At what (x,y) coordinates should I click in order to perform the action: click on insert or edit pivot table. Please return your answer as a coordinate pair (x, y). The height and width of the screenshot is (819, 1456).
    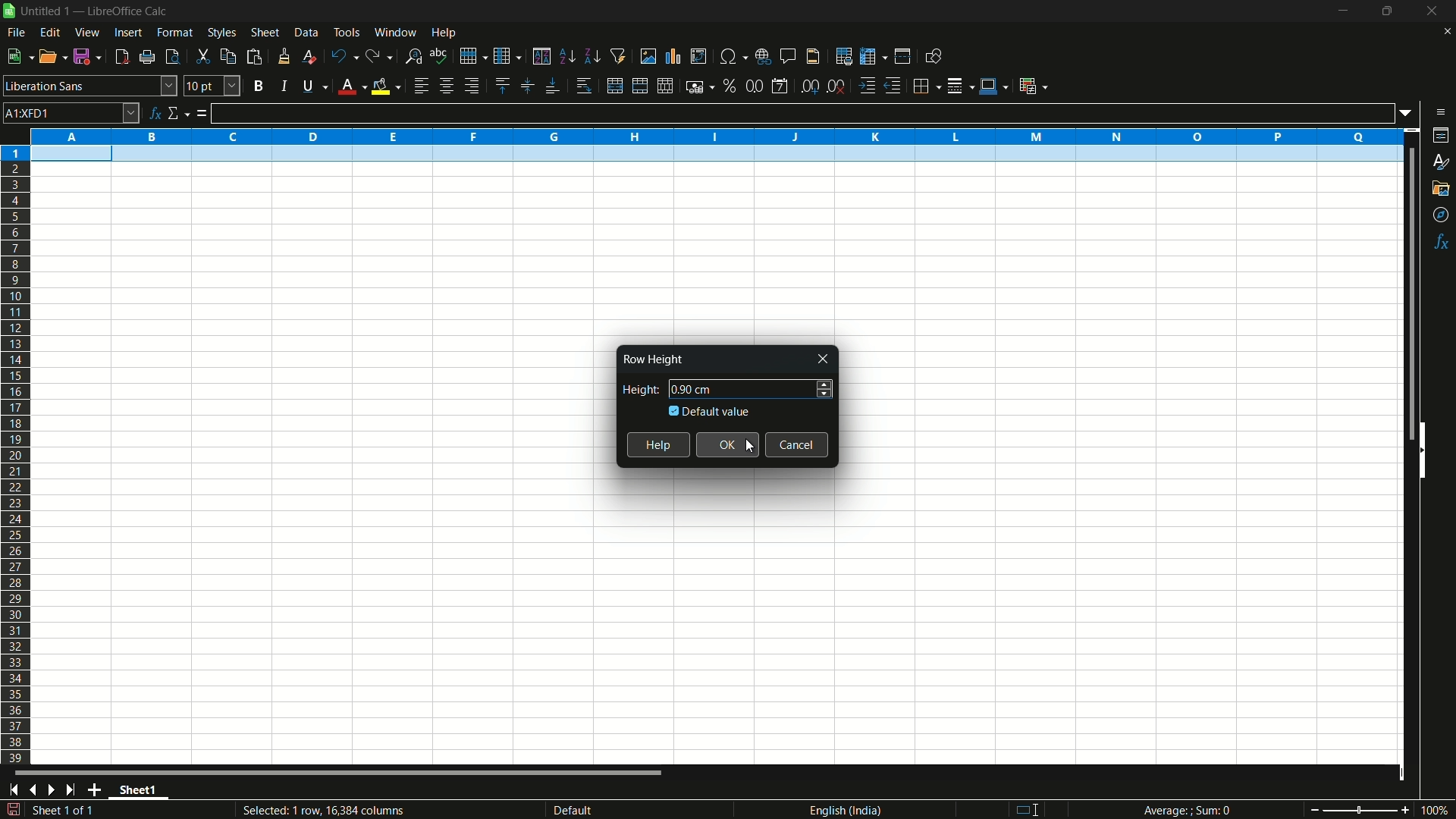
    Looking at the image, I should click on (698, 56).